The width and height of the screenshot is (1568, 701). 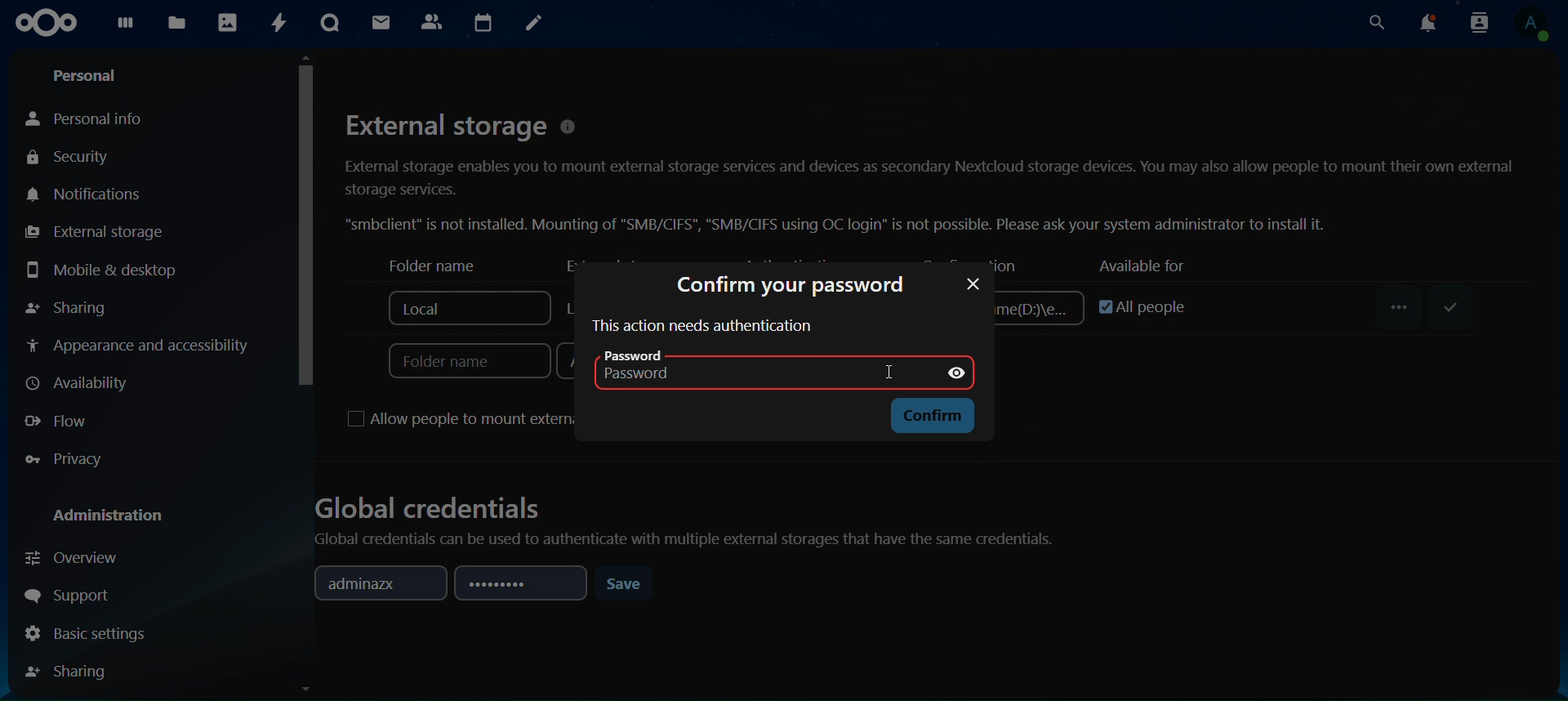 I want to click on notifications, so click(x=1429, y=22).